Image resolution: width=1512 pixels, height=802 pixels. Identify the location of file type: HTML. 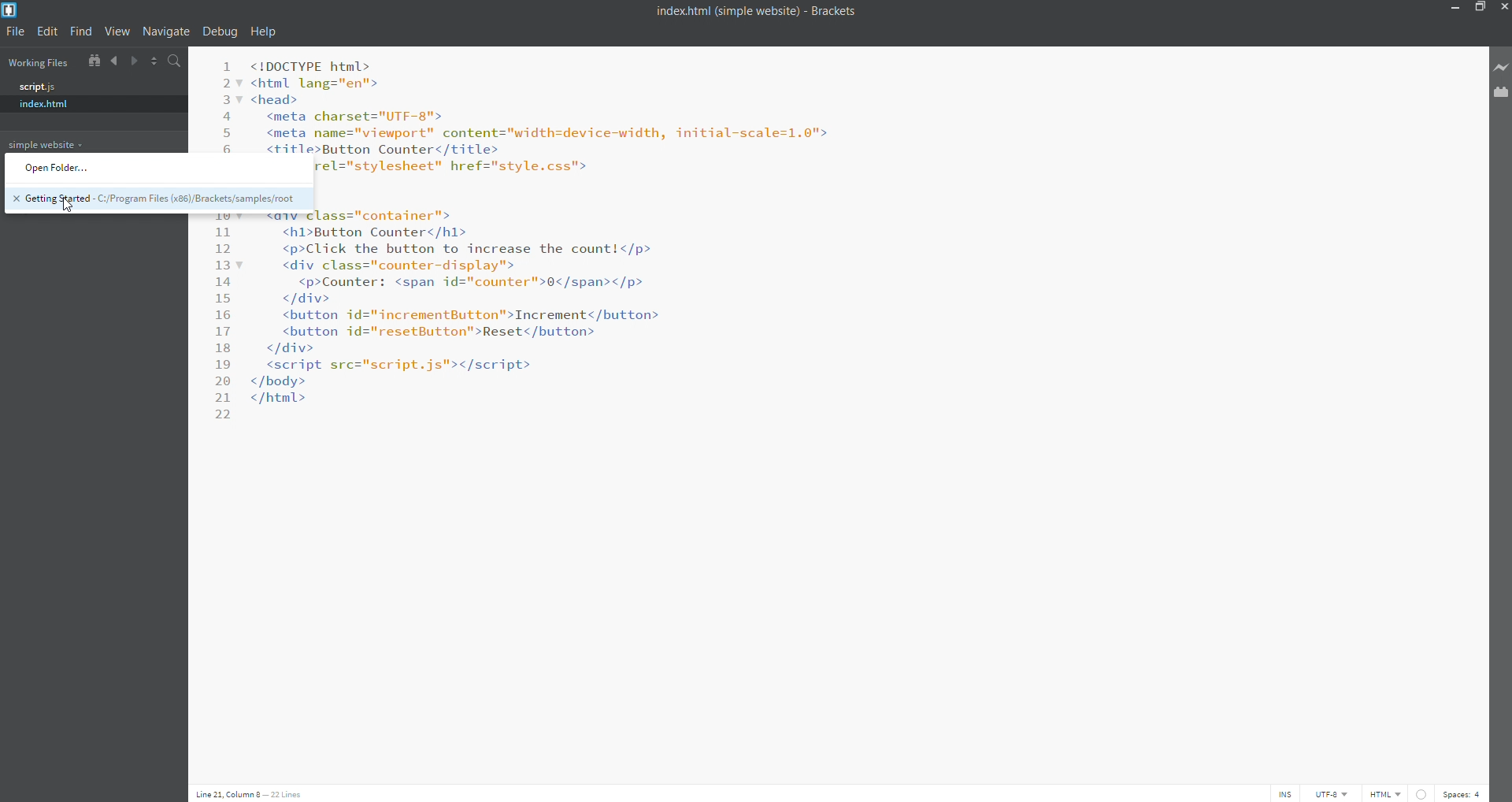
(1385, 793).